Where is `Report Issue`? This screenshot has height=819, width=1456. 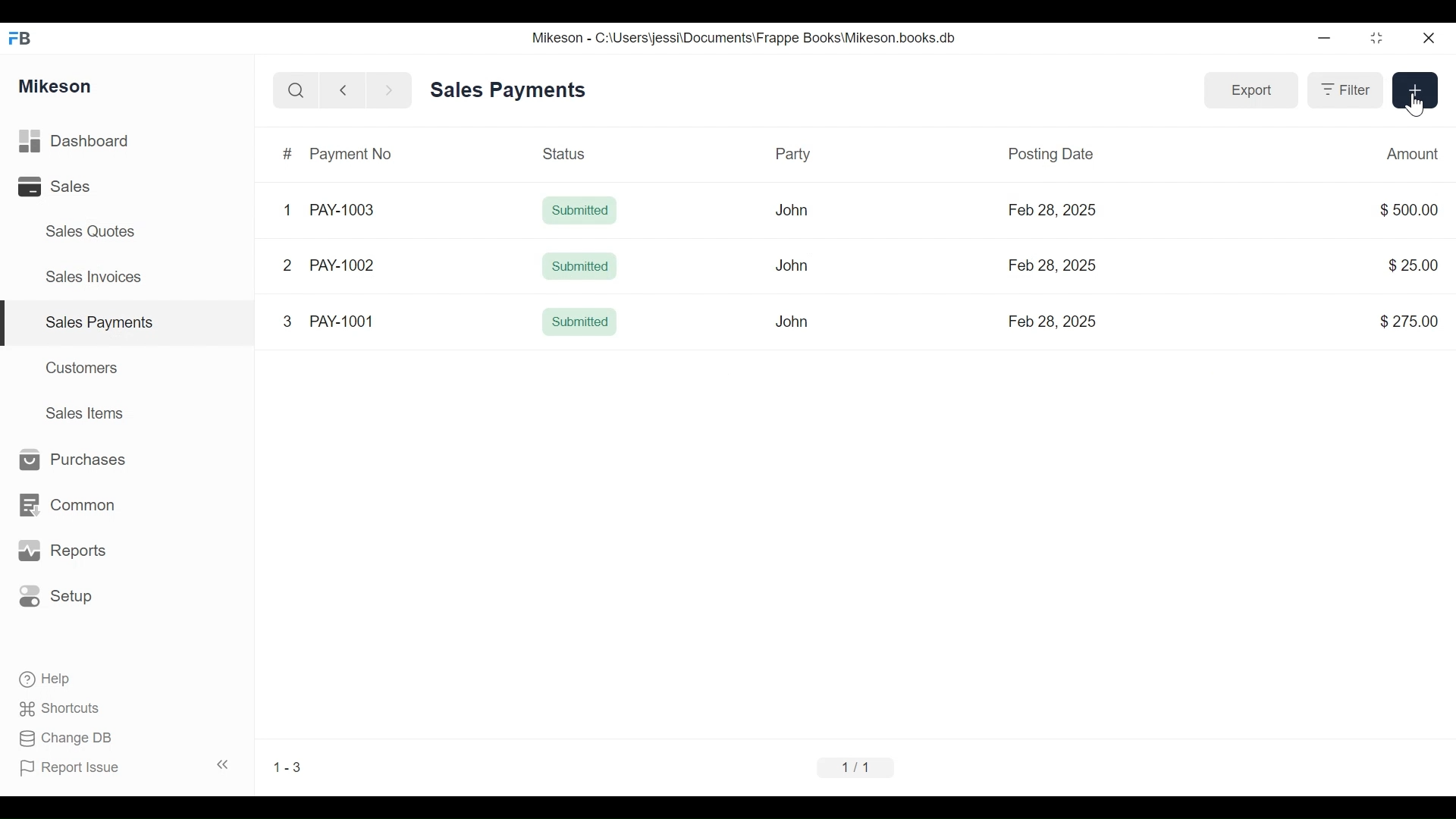 Report Issue is located at coordinates (77, 768).